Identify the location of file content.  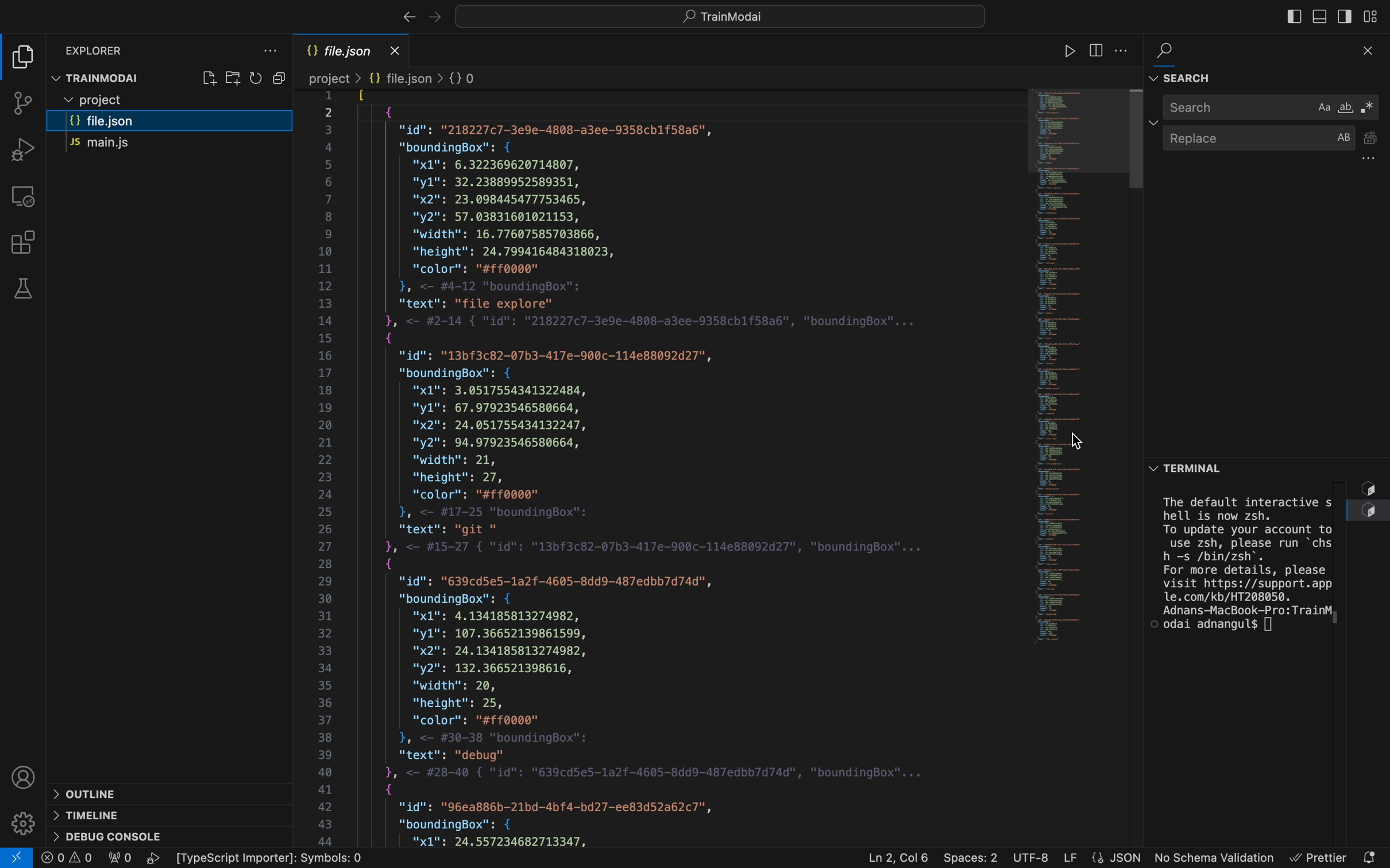
(674, 468).